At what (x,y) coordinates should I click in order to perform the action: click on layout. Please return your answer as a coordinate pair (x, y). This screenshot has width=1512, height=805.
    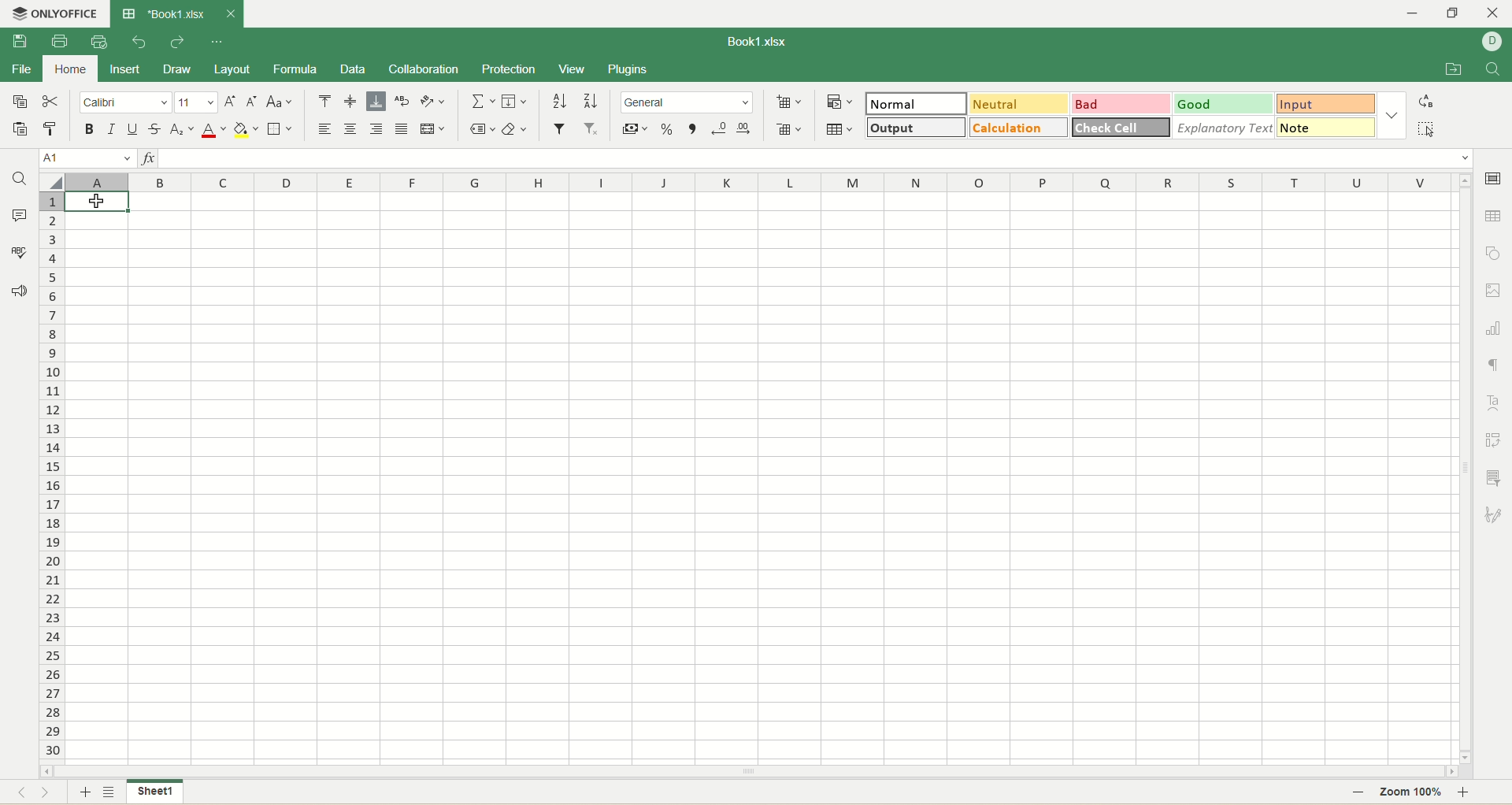
    Looking at the image, I should click on (232, 68).